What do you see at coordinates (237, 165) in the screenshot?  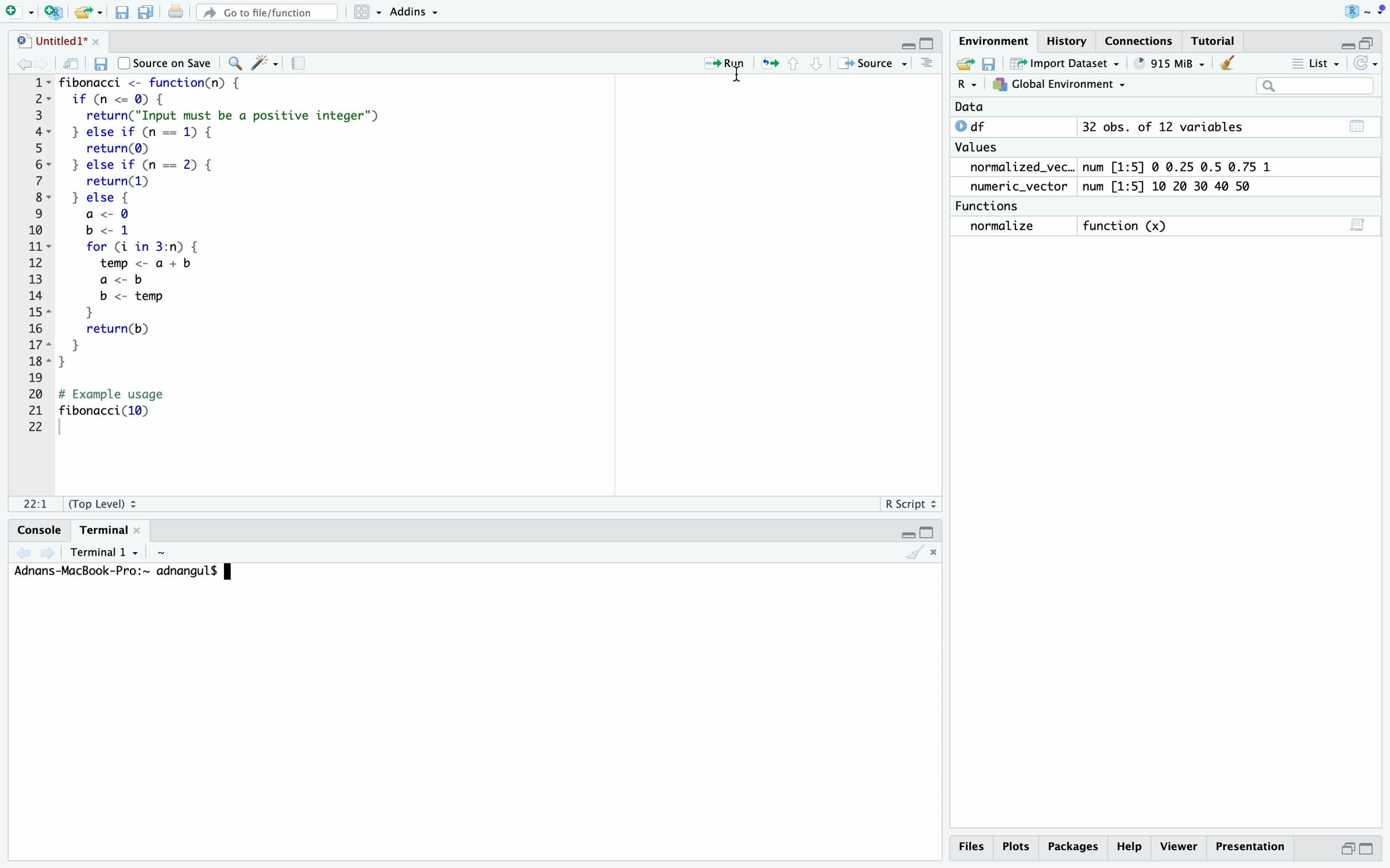 I see `if else loop ` at bounding box center [237, 165].